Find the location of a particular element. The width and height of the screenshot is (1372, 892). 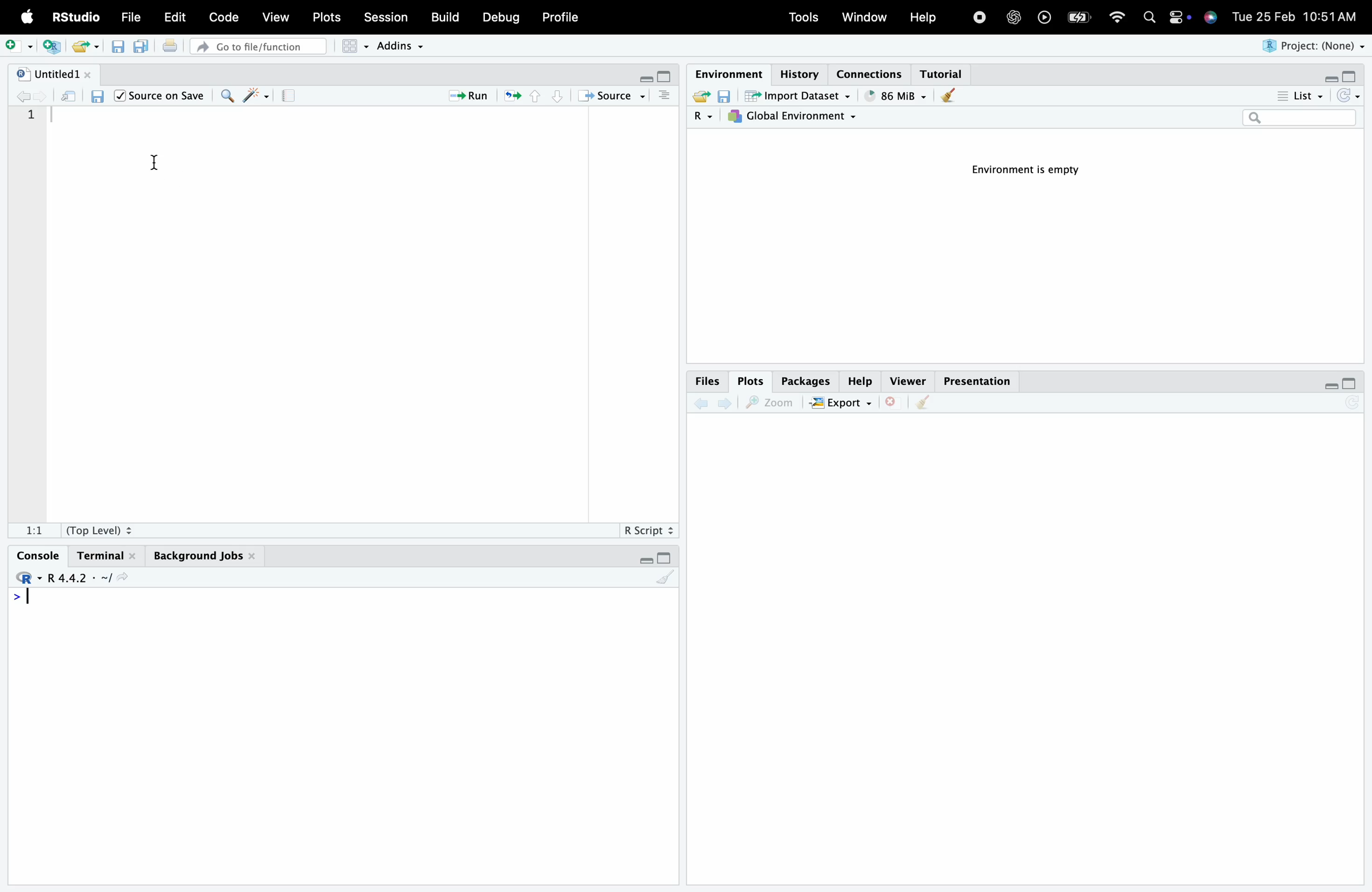

search is located at coordinates (1153, 19).